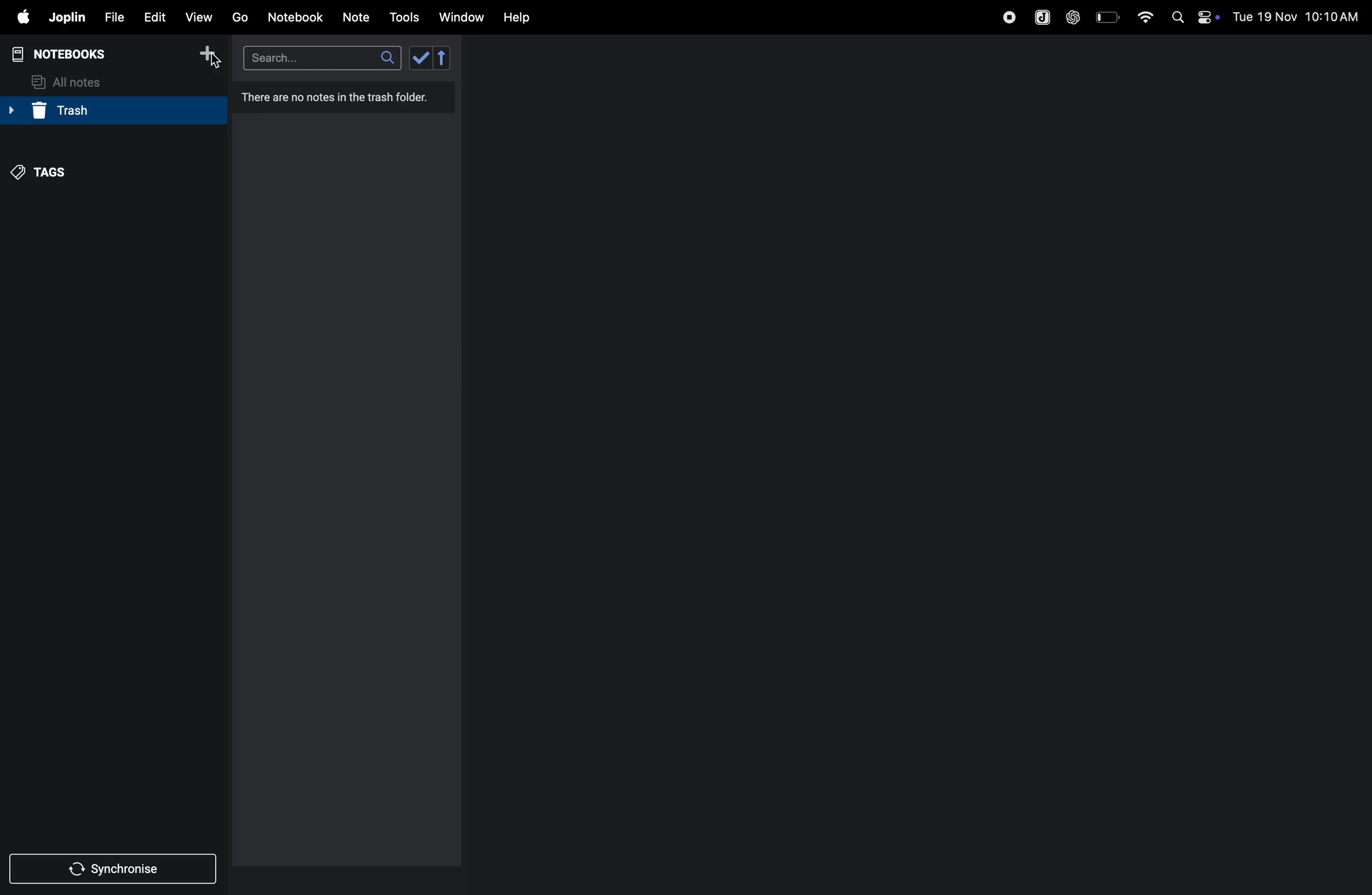 Image resolution: width=1372 pixels, height=895 pixels. Describe the element at coordinates (212, 54) in the screenshot. I see `add` at that location.